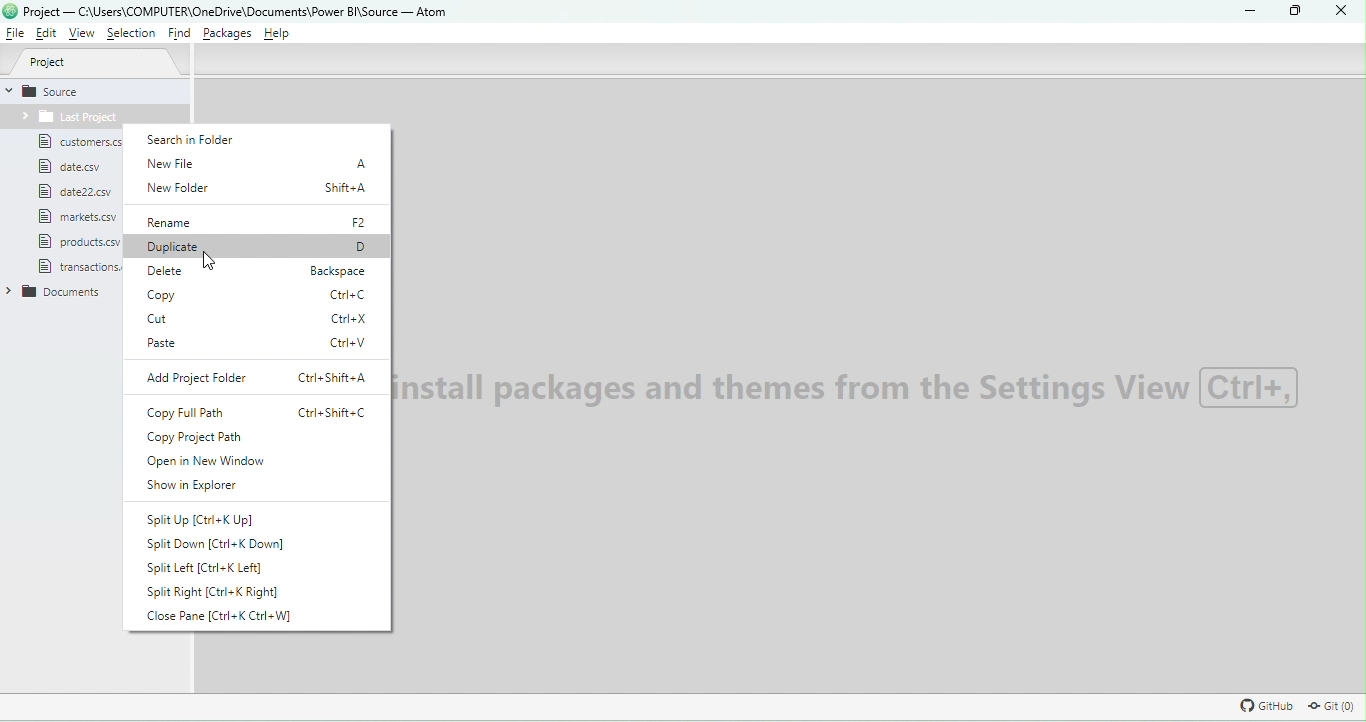 The image size is (1366, 722). I want to click on File, so click(83, 192).